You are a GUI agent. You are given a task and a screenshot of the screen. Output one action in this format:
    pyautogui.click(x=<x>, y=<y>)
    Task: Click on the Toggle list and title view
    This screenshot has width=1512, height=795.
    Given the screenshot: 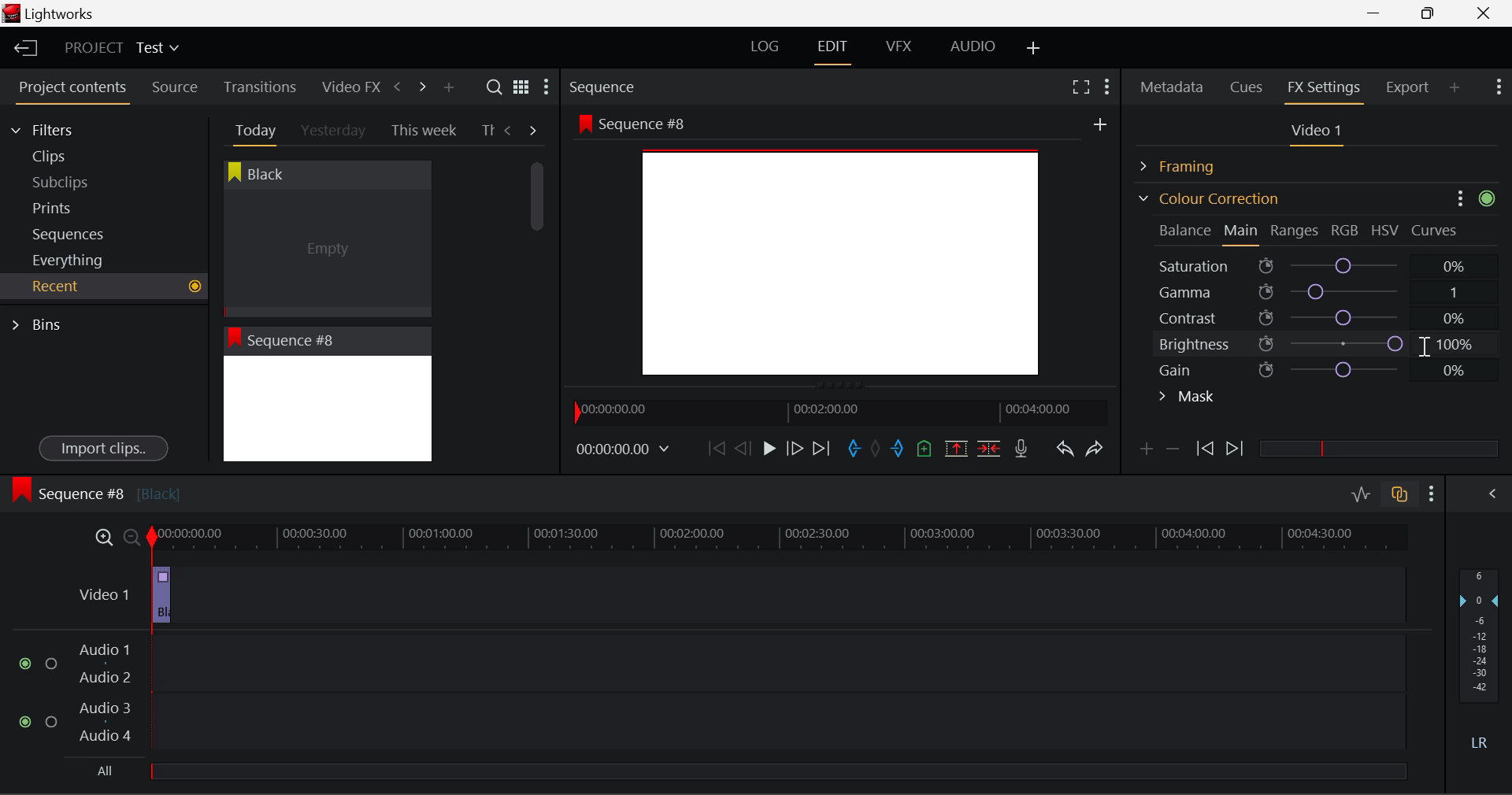 What is the action you would take?
    pyautogui.click(x=521, y=87)
    